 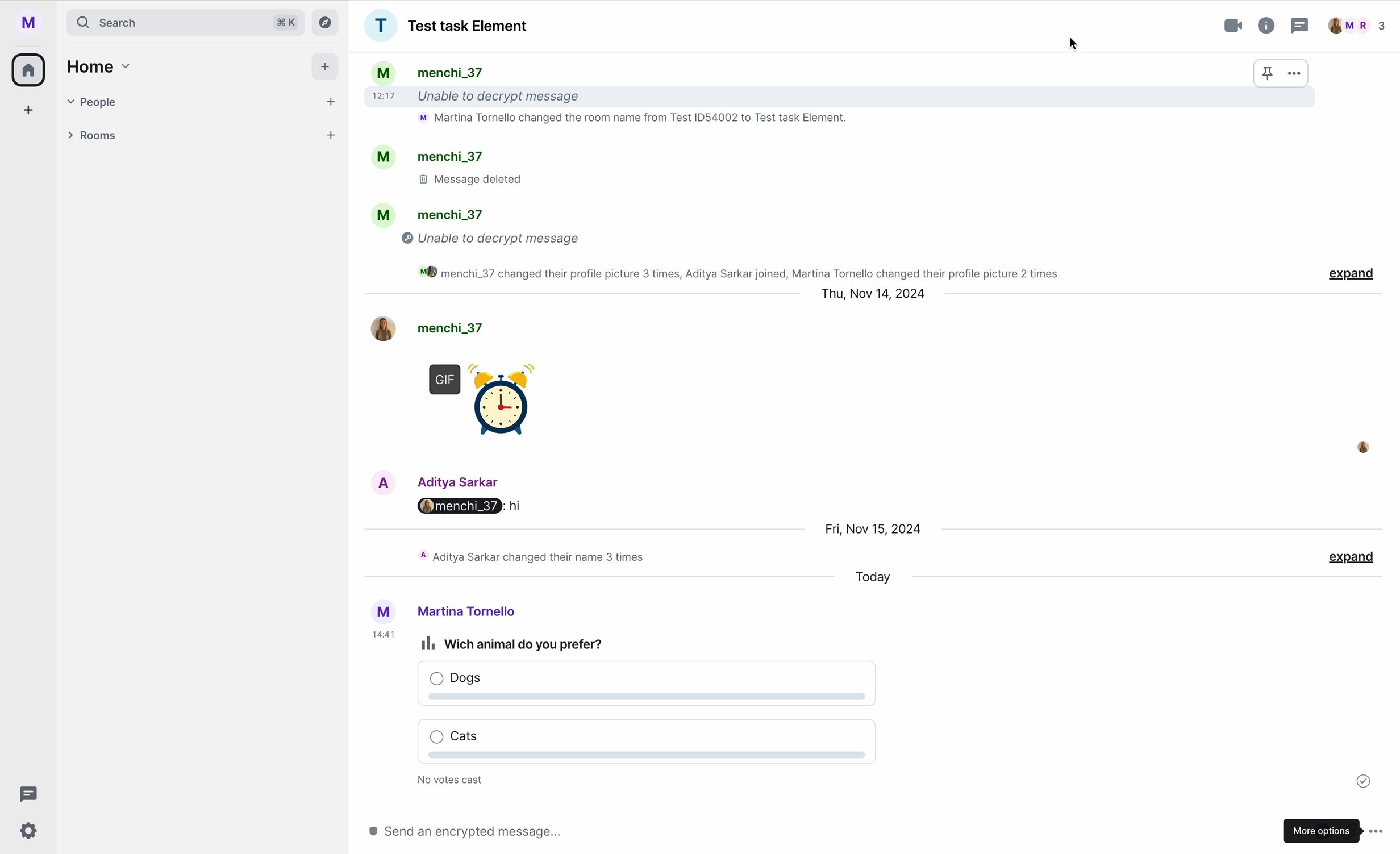 I want to click on information, so click(x=1267, y=23).